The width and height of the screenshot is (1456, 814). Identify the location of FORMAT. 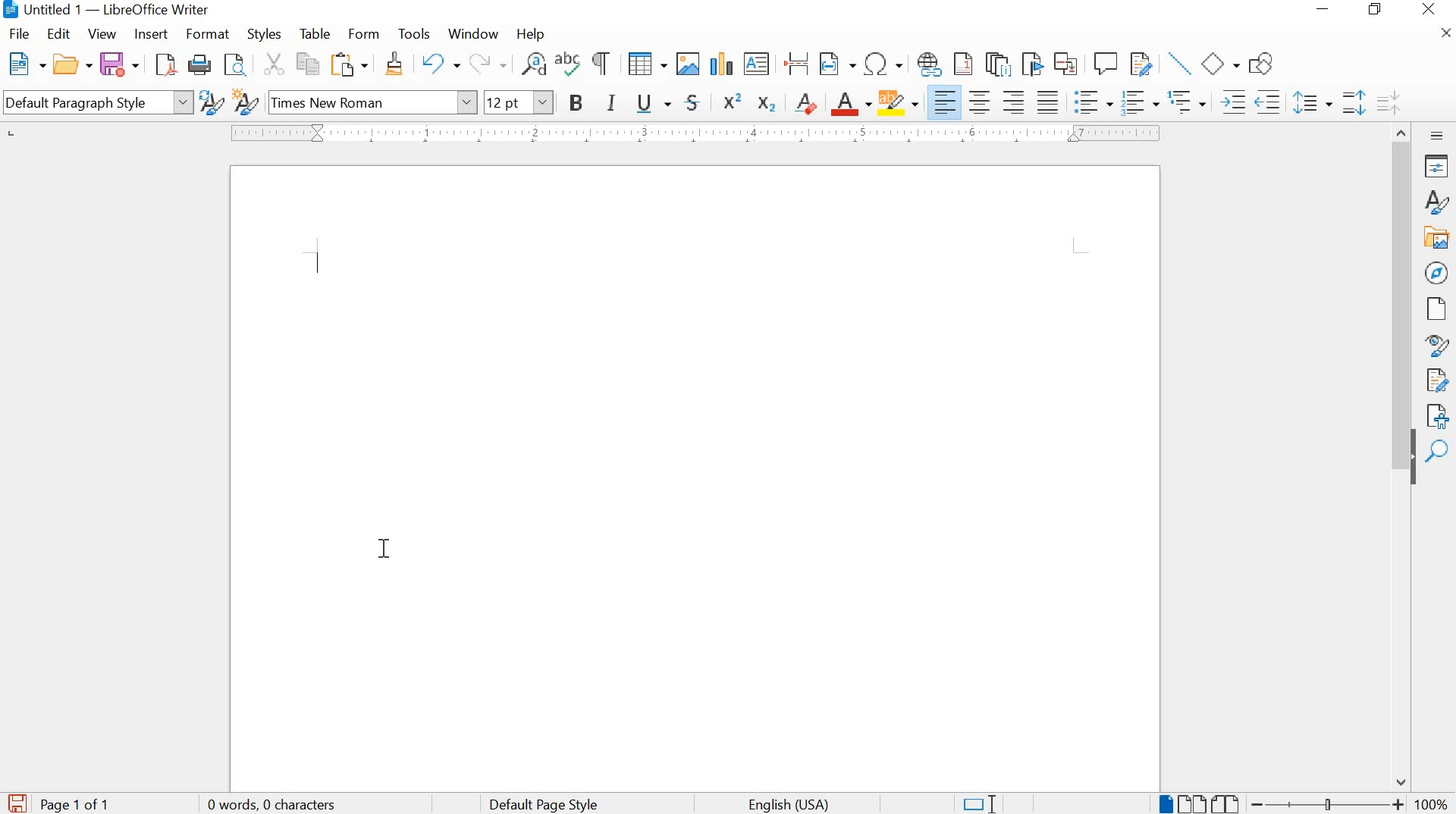
(209, 33).